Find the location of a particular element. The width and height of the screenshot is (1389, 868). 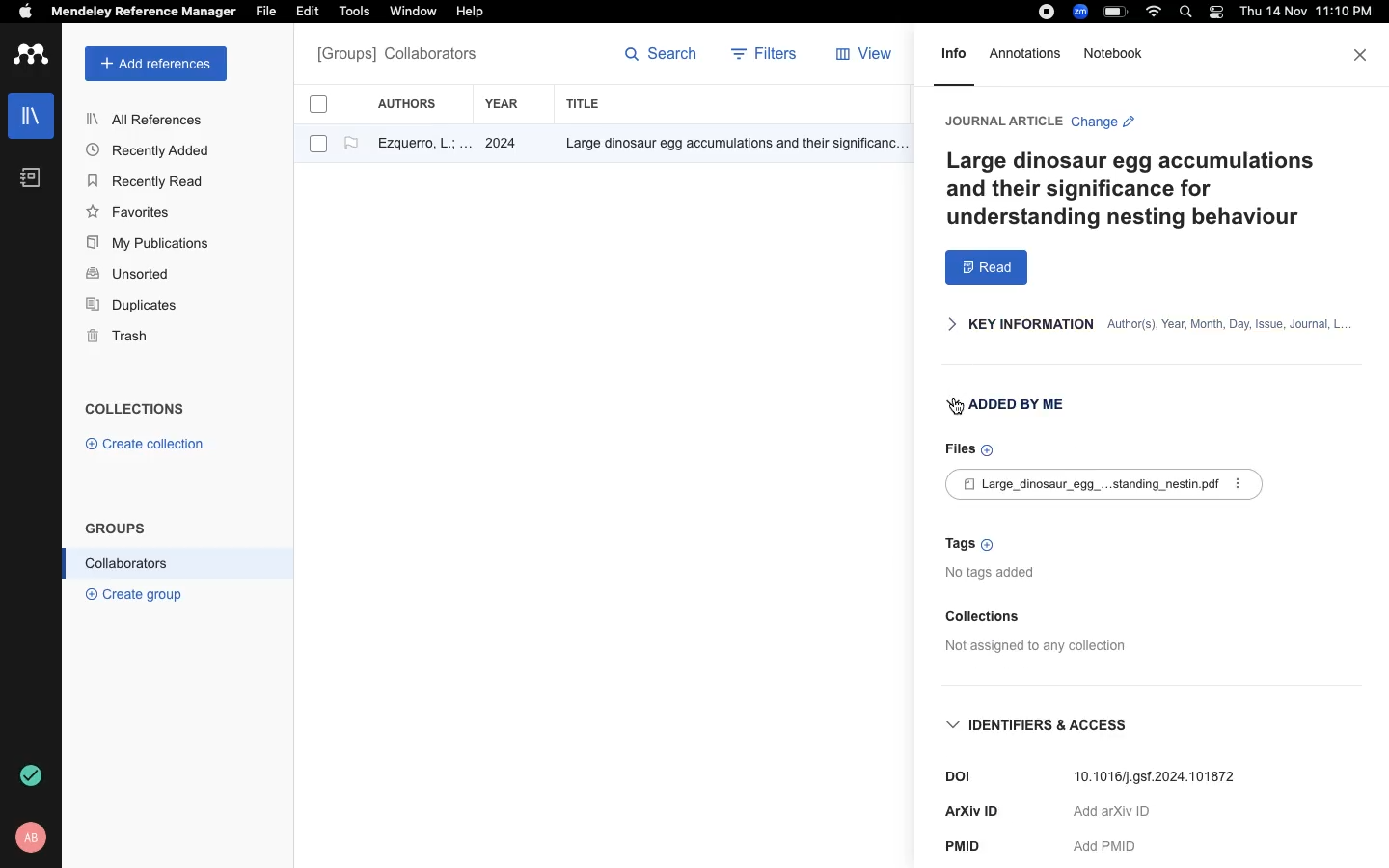

Trash is located at coordinates (125, 338).